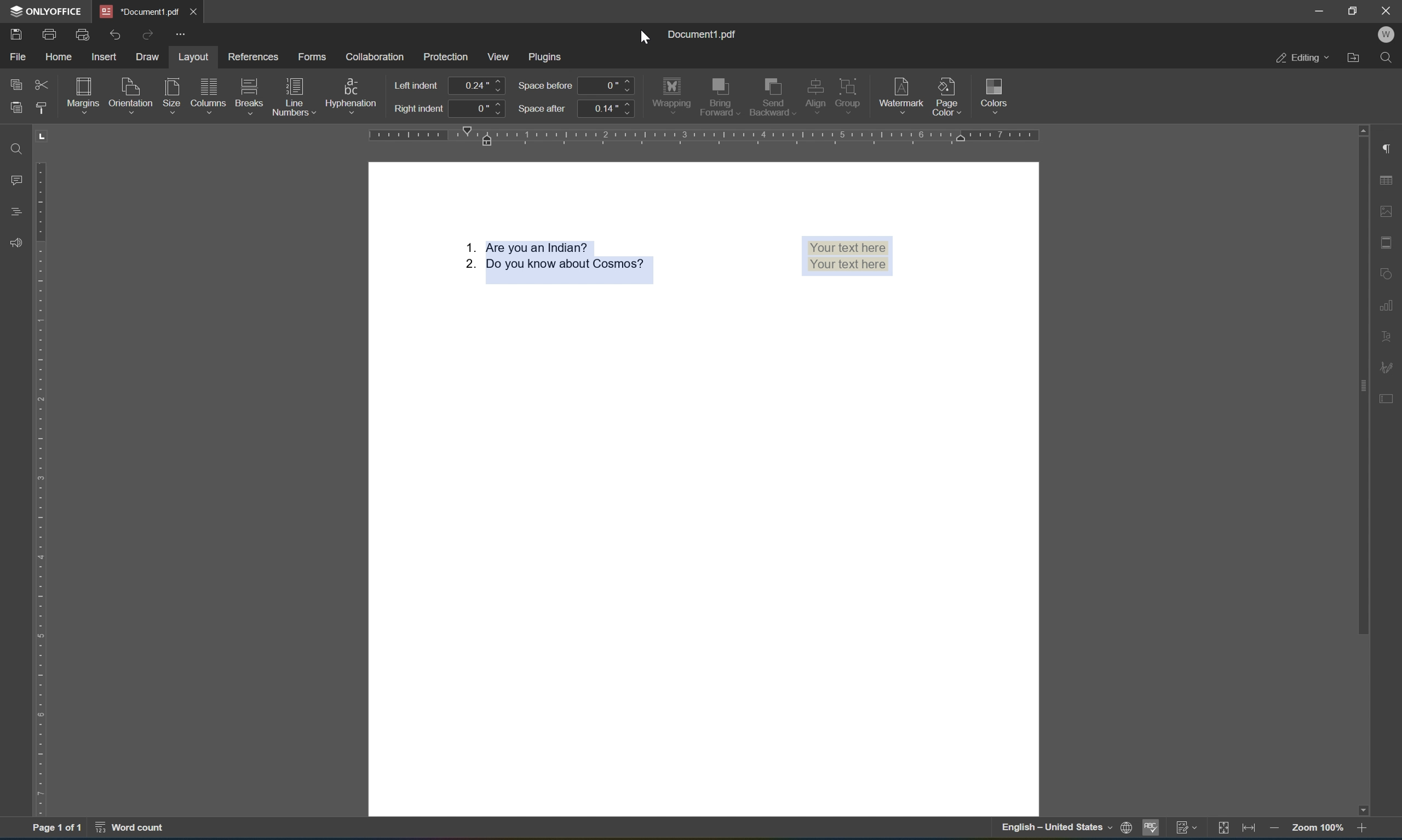 Image resolution: width=1402 pixels, height=840 pixels. What do you see at coordinates (1390, 182) in the screenshot?
I see `table settings` at bounding box center [1390, 182].